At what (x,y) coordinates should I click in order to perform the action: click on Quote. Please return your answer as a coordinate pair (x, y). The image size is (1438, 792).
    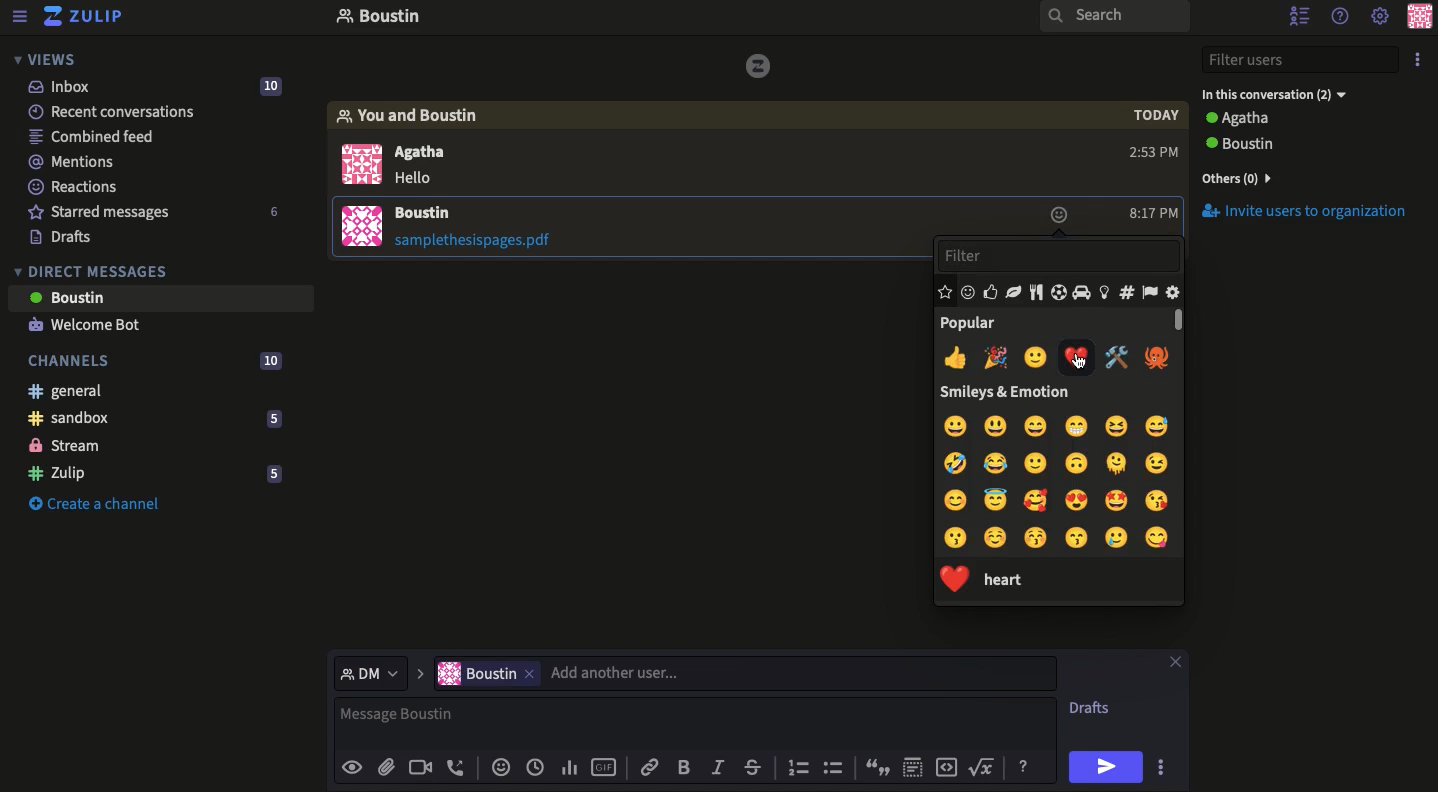
    Looking at the image, I should click on (877, 767).